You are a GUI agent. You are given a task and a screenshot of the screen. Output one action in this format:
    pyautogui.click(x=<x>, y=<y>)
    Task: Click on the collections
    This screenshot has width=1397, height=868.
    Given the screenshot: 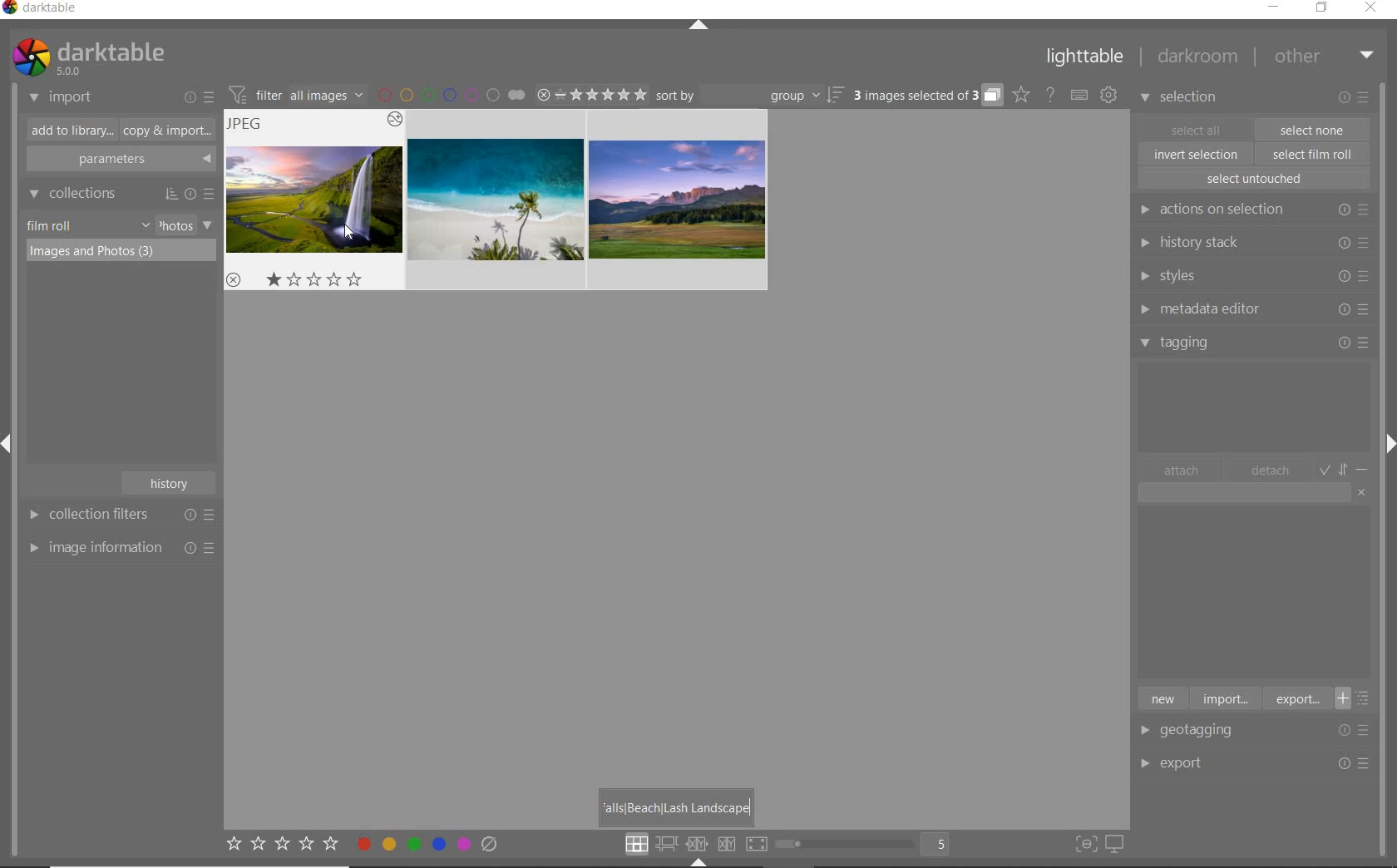 What is the action you would take?
    pyautogui.click(x=119, y=194)
    